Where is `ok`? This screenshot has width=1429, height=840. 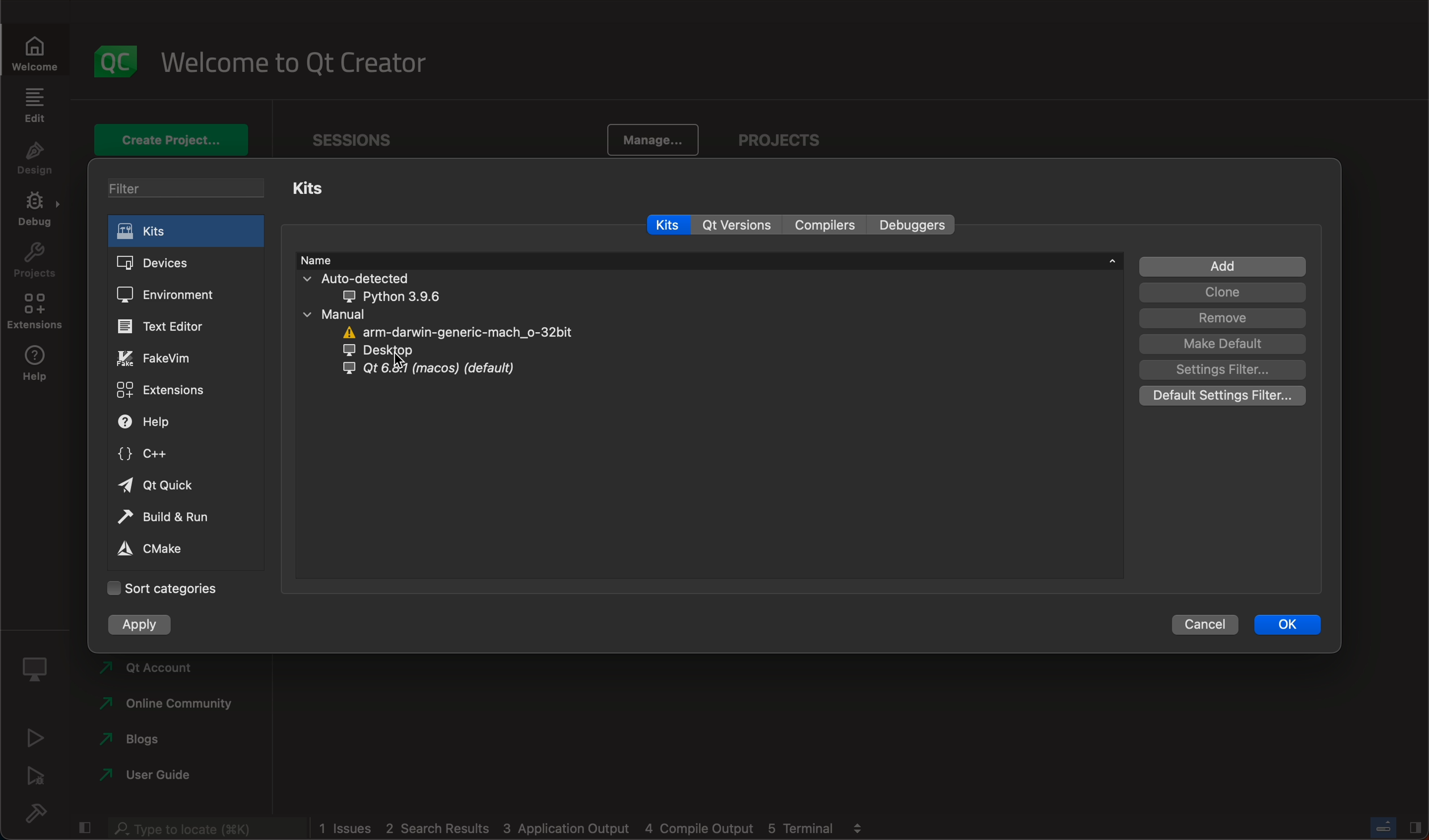
ok is located at coordinates (1295, 625).